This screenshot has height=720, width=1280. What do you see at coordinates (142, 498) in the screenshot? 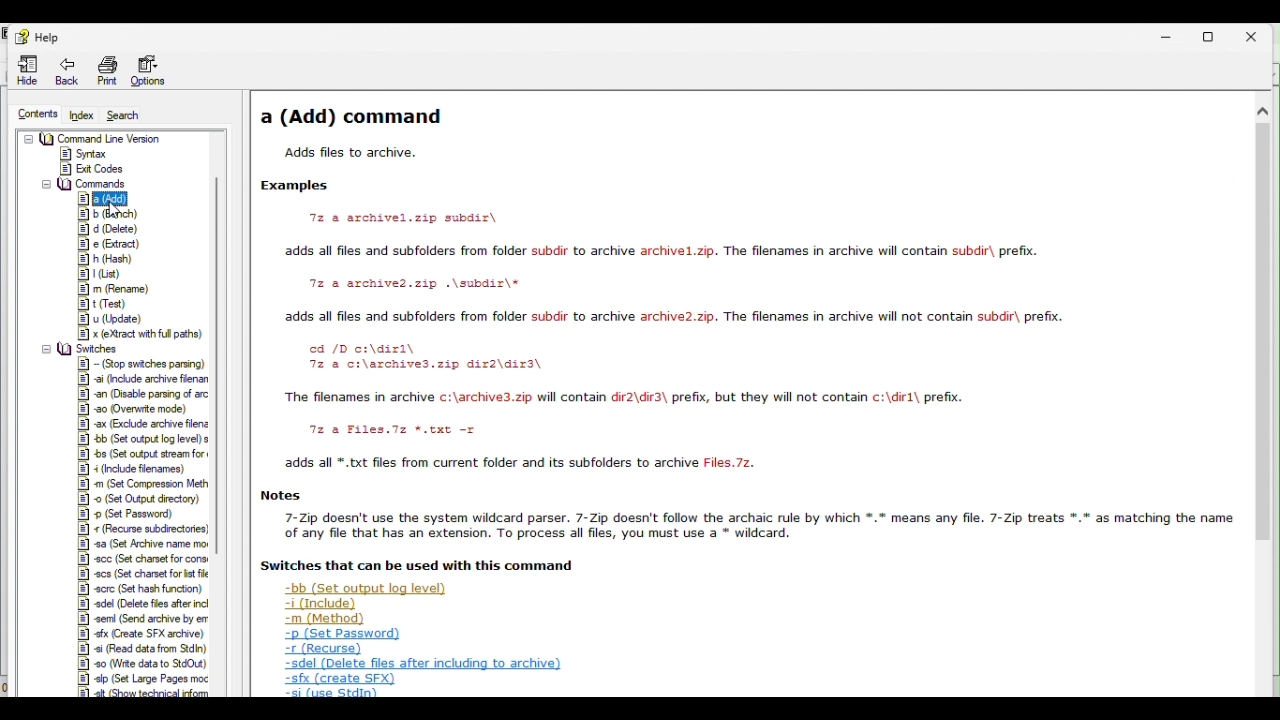
I see `-o` at bounding box center [142, 498].